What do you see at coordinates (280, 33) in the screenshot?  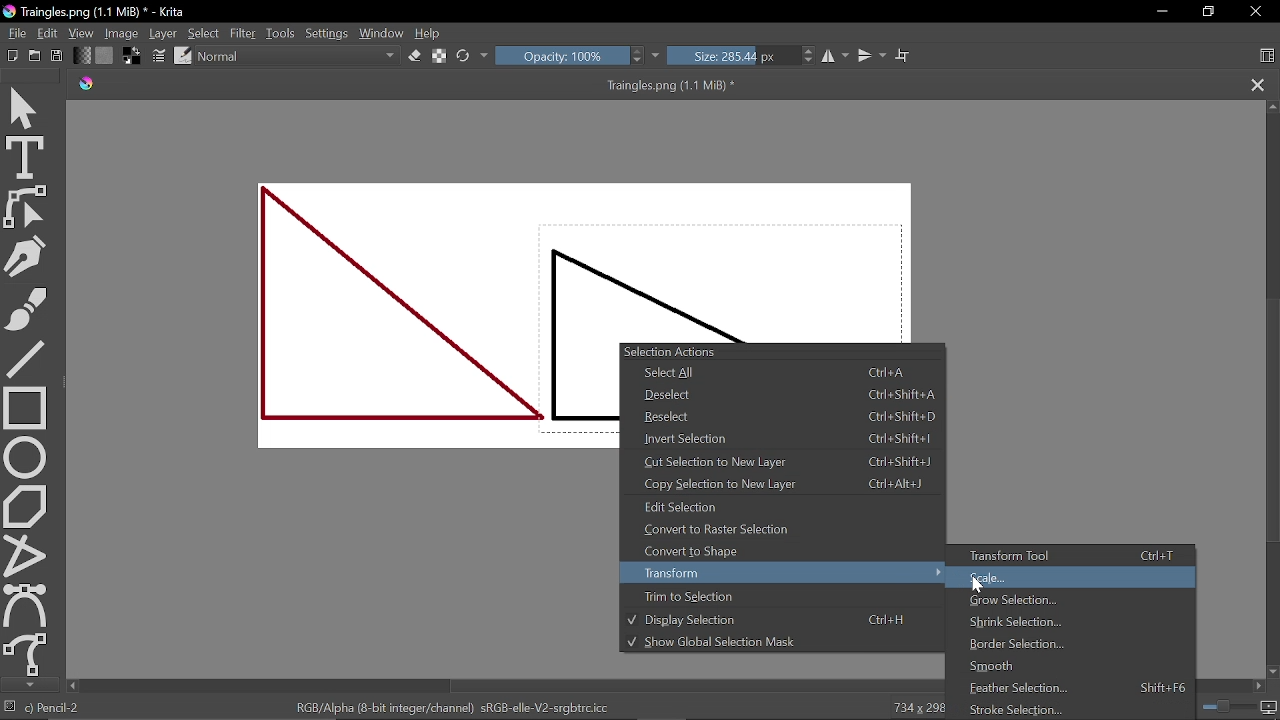 I see `Tools` at bounding box center [280, 33].